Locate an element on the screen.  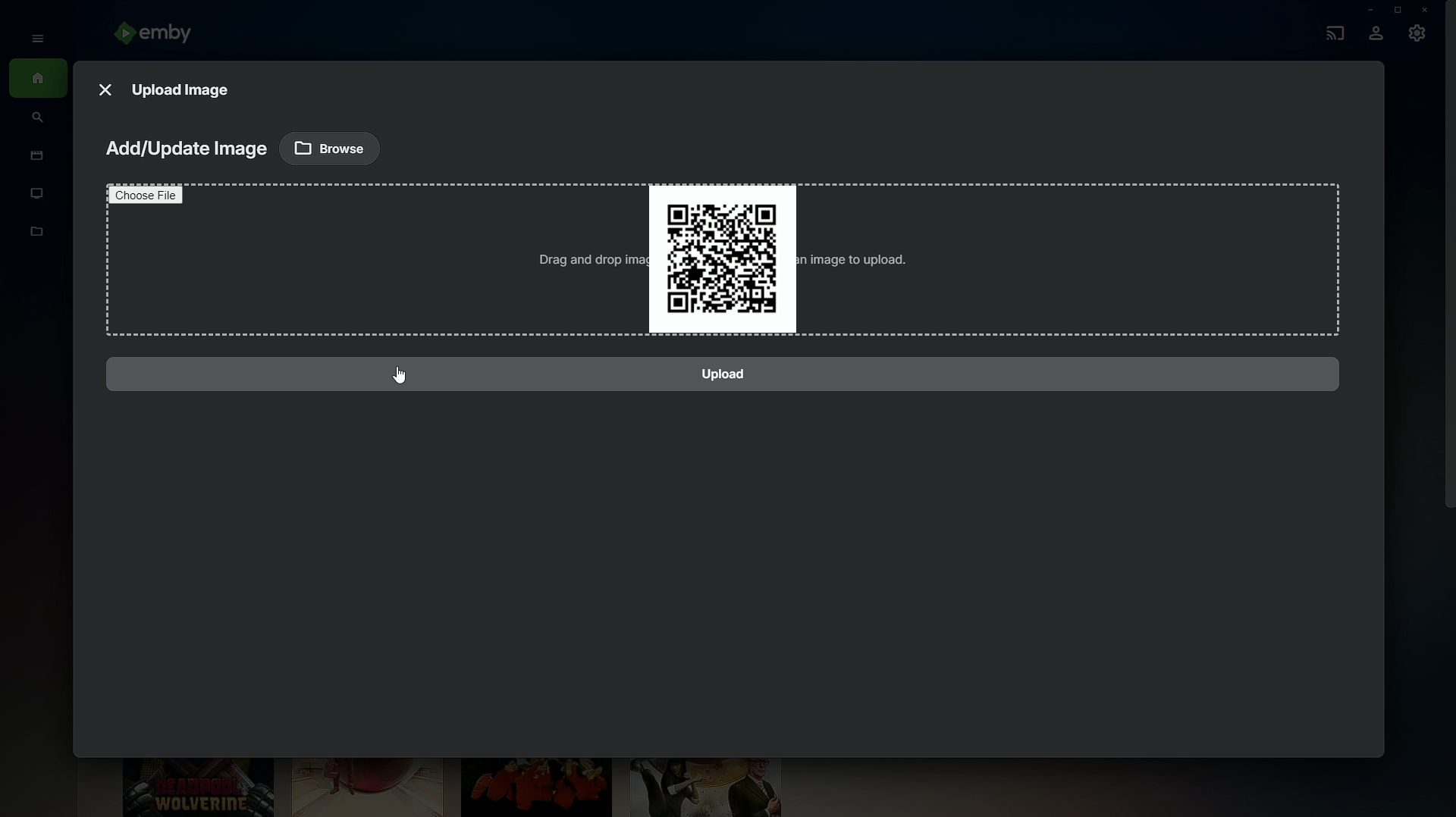
Close is located at coordinates (105, 86).